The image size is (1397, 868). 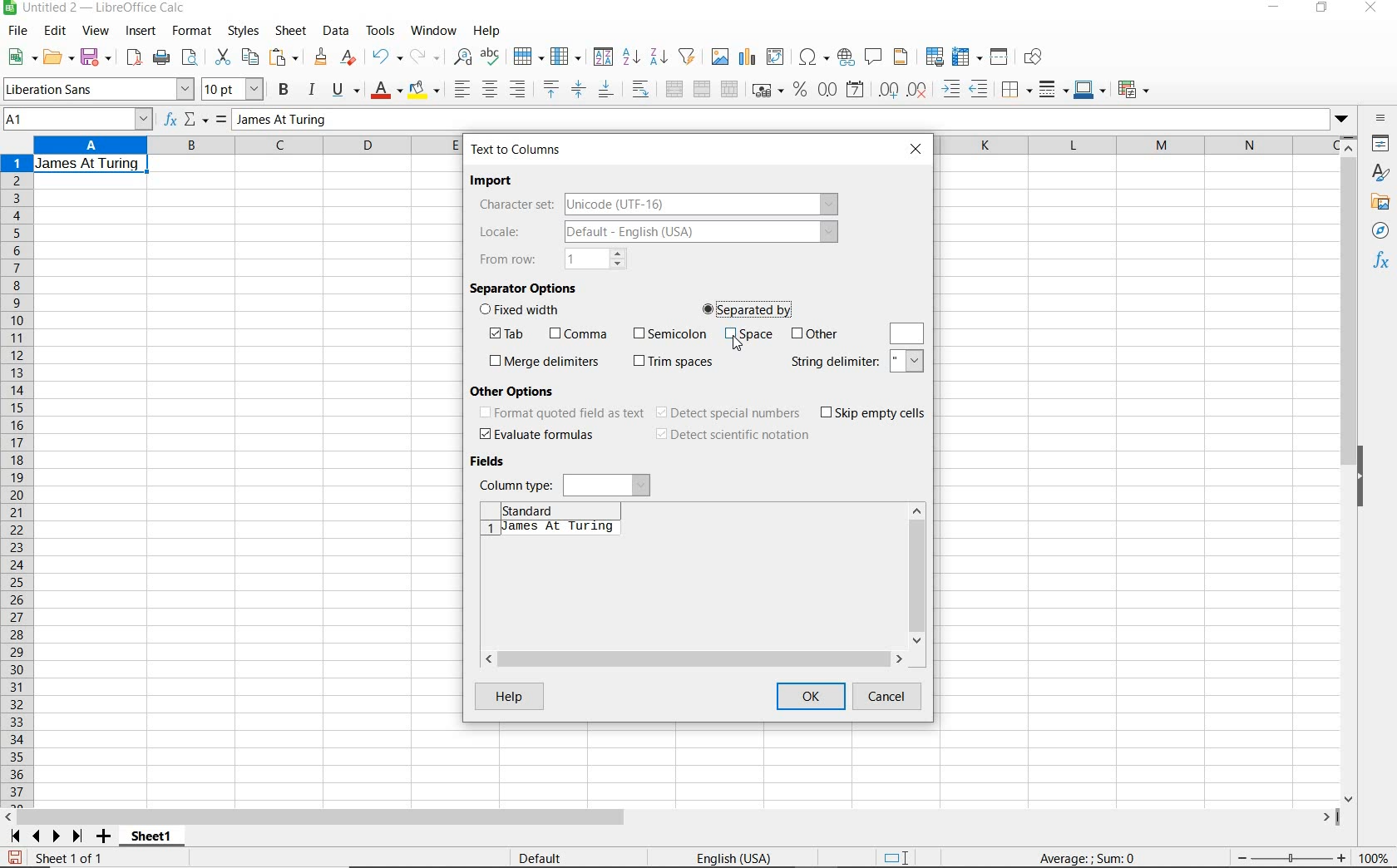 I want to click on locale, so click(x=654, y=234).